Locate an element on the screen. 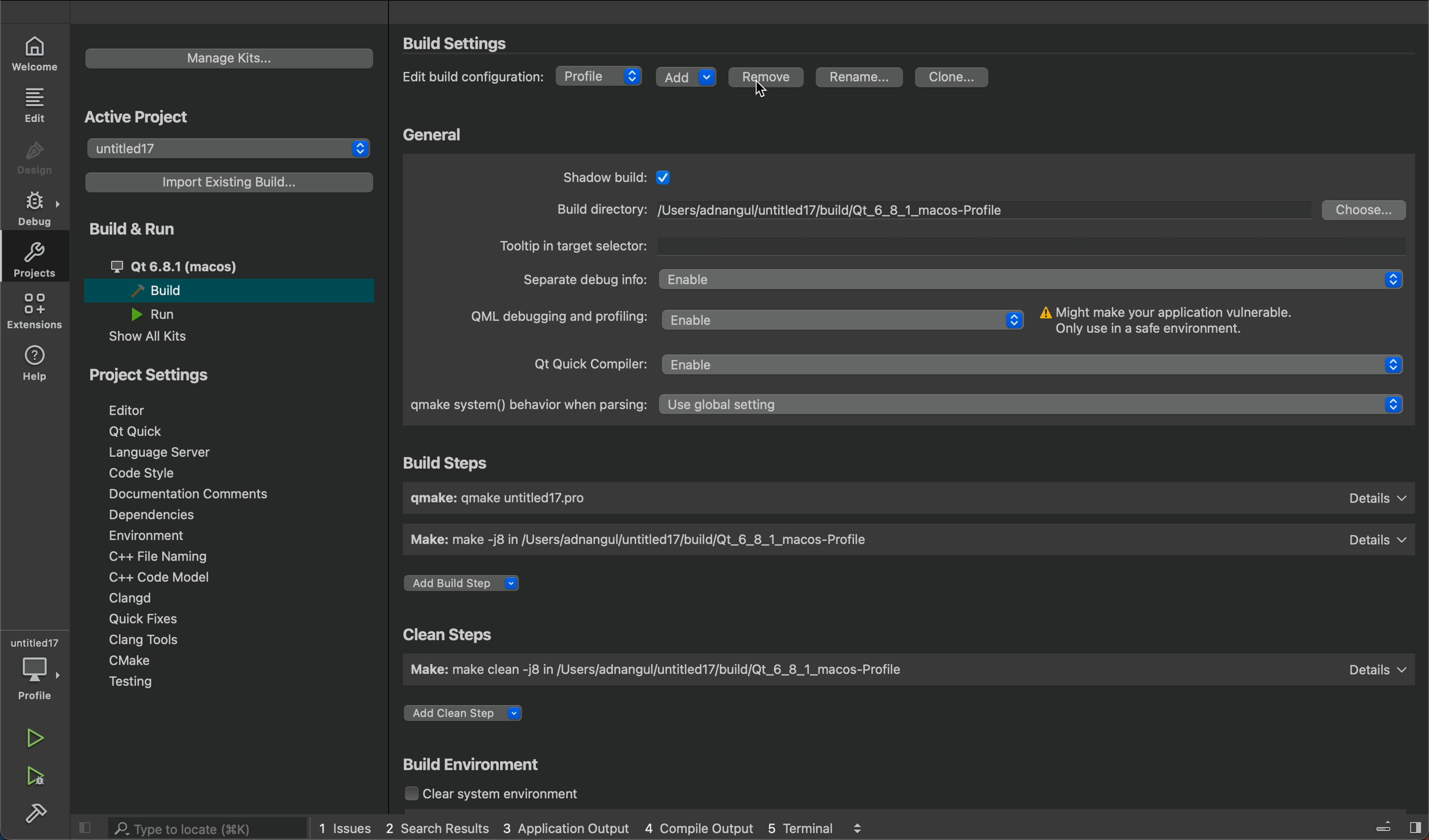 Image resolution: width=1429 pixels, height=840 pixels. settings is located at coordinates (461, 45).